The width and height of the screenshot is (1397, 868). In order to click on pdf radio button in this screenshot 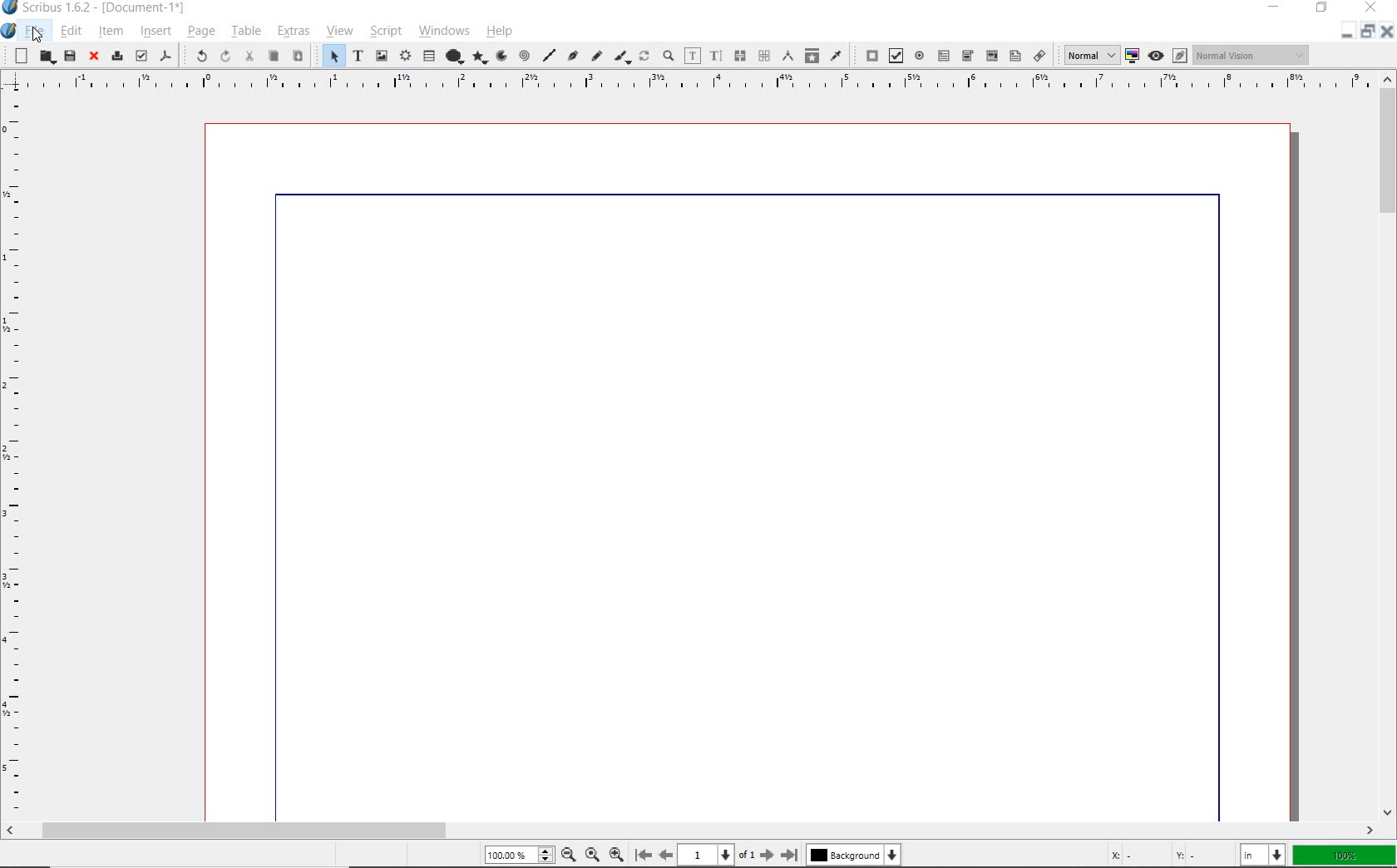, I will do `click(920, 55)`.